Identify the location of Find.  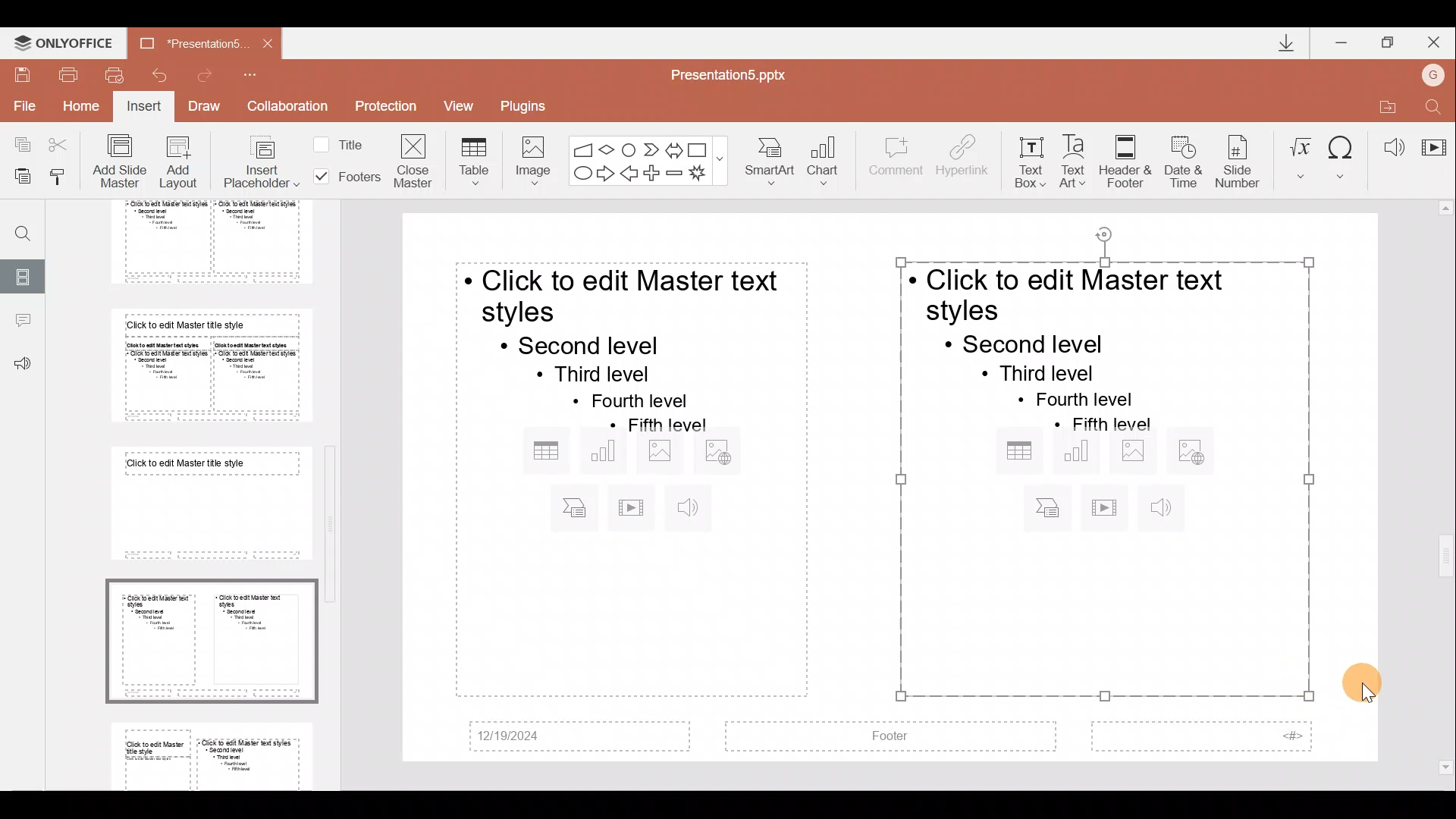
(1435, 104).